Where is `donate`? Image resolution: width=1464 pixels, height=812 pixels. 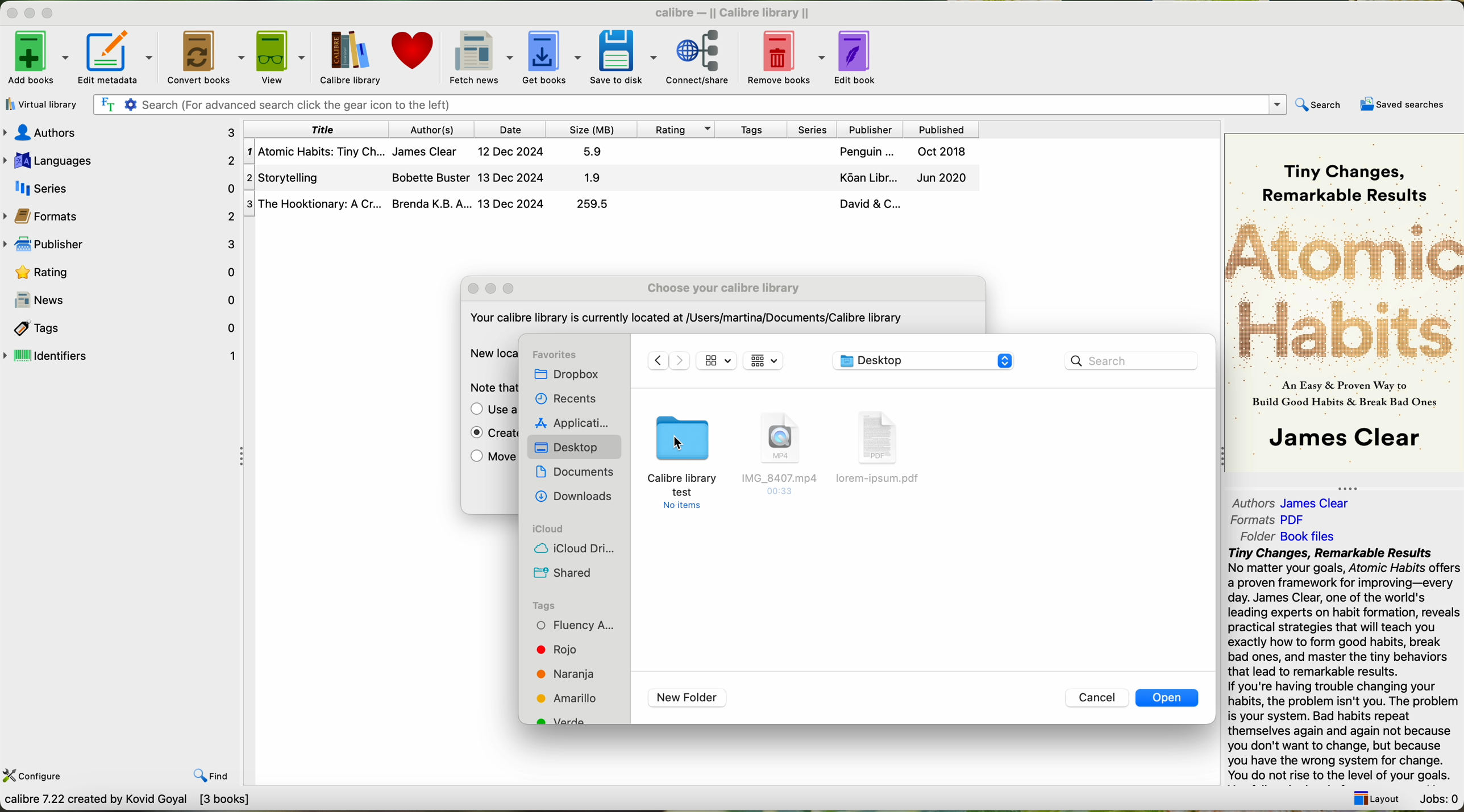
donate is located at coordinates (414, 56).